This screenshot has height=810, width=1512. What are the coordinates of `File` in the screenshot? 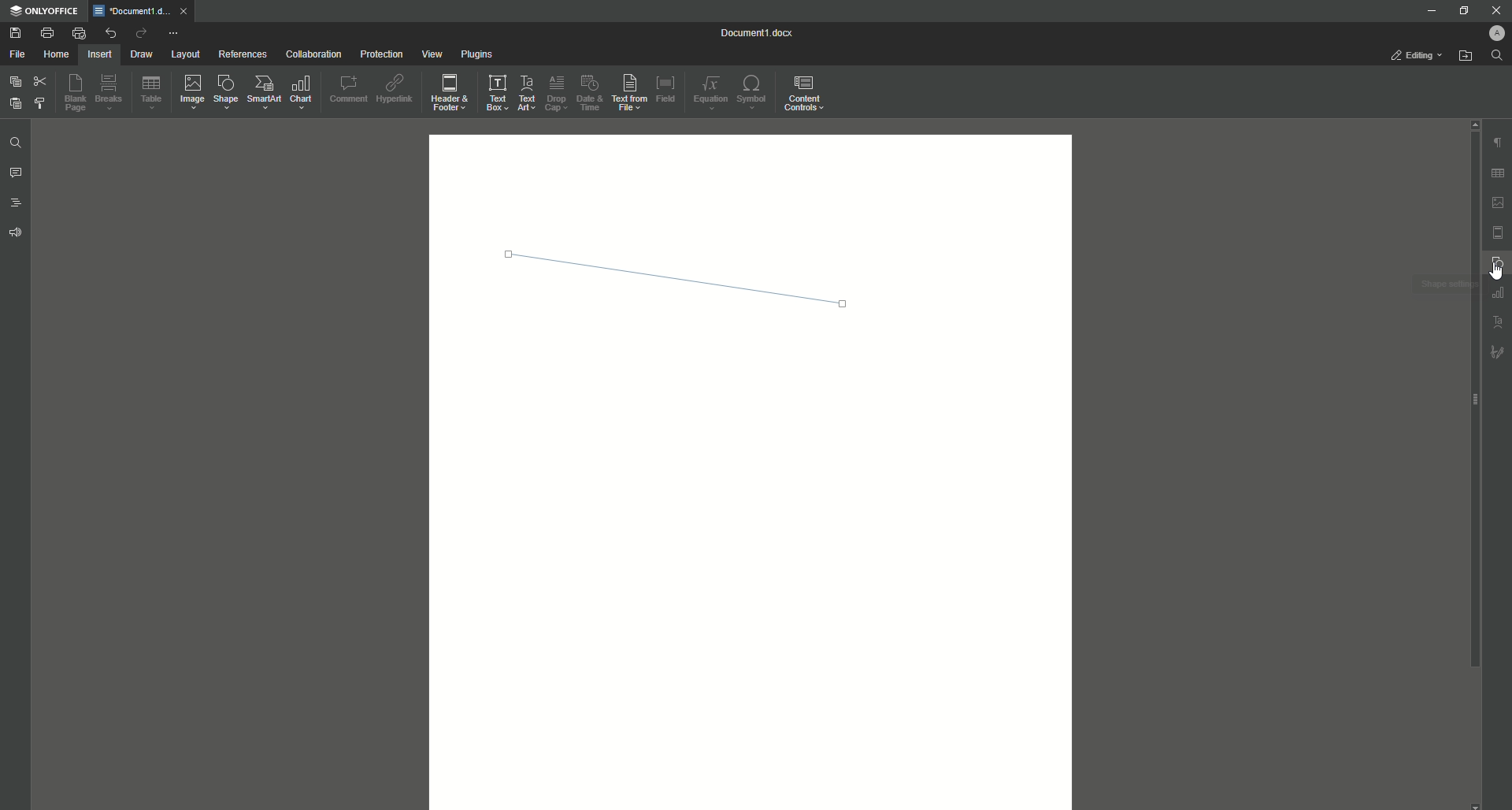 It's located at (18, 55).